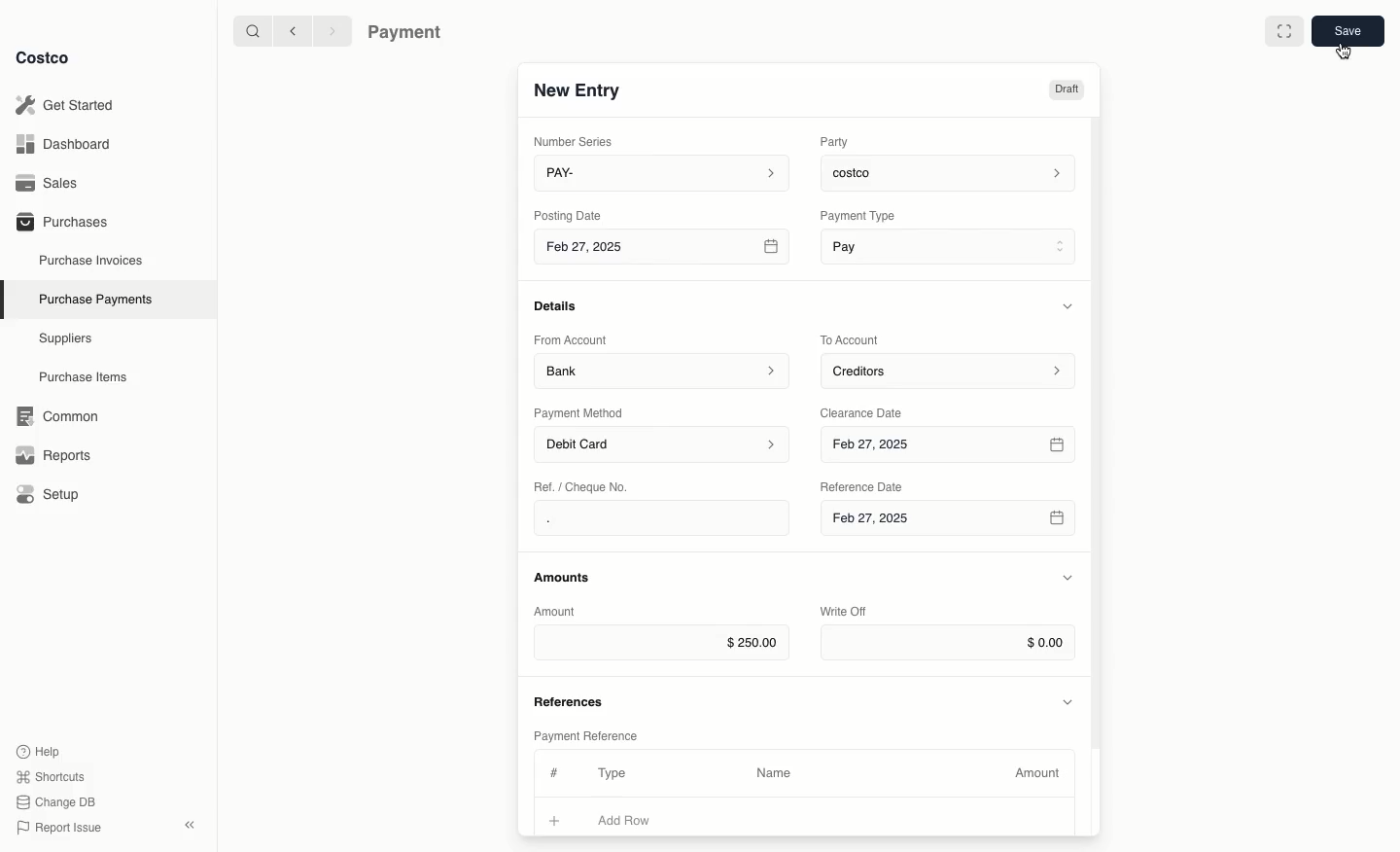 The width and height of the screenshot is (1400, 852). Describe the element at coordinates (293, 30) in the screenshot. I see `Back` at that location.